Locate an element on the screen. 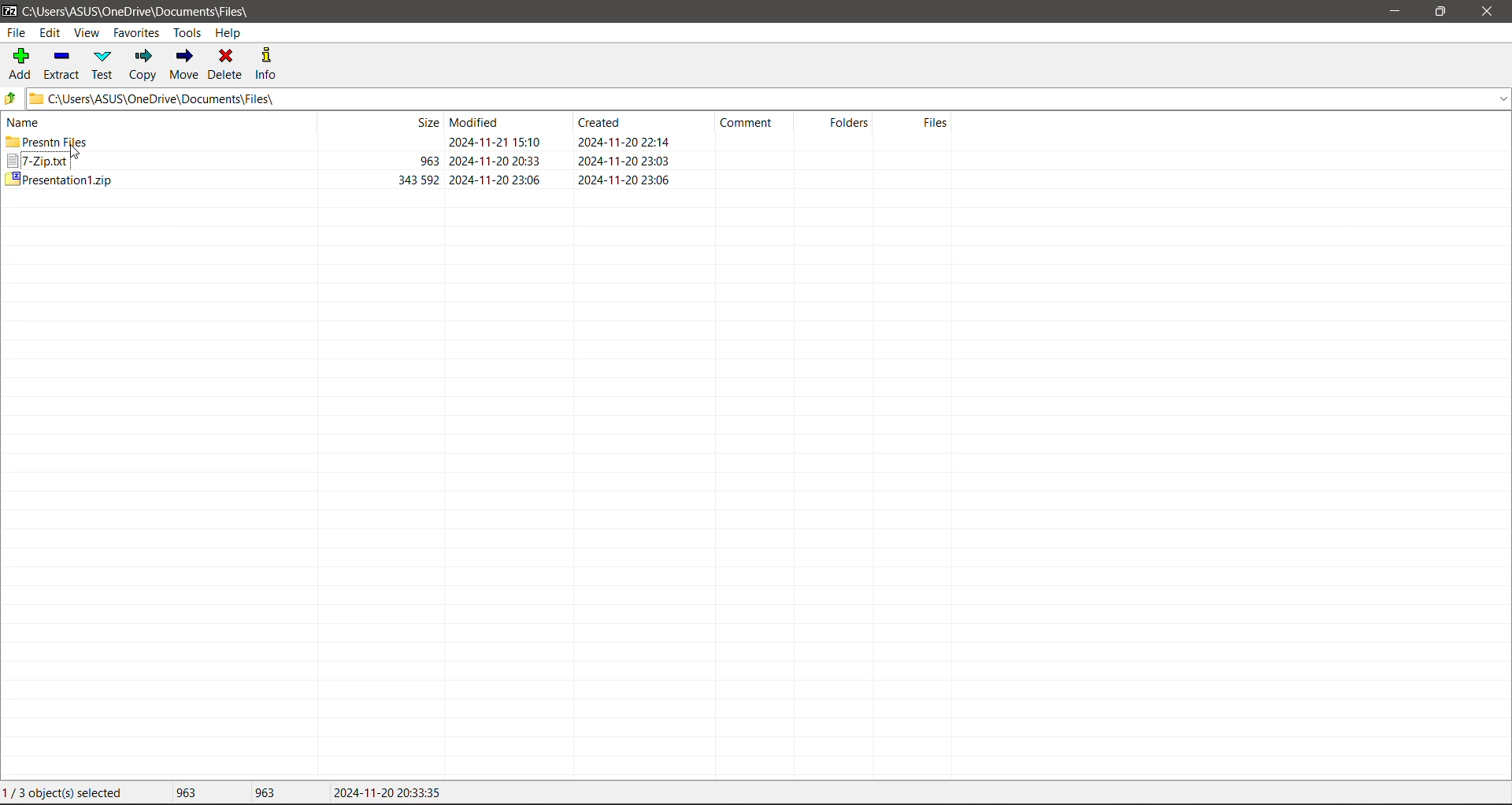  Test is located at coordinates (104, 65).